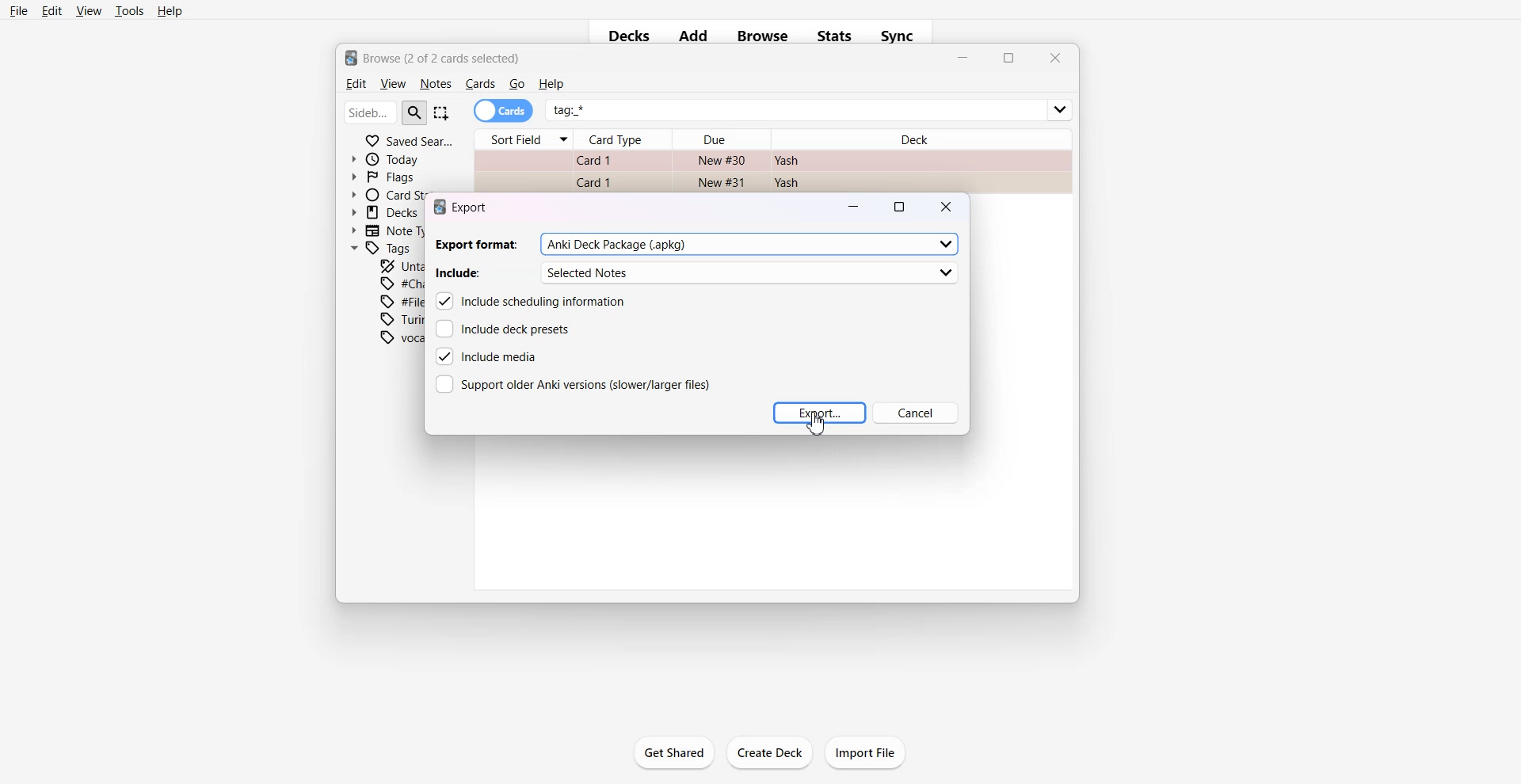 Image resolution: width=1521 pixels, height=784 pixels. I want to click on Browse, so click(762, 36).